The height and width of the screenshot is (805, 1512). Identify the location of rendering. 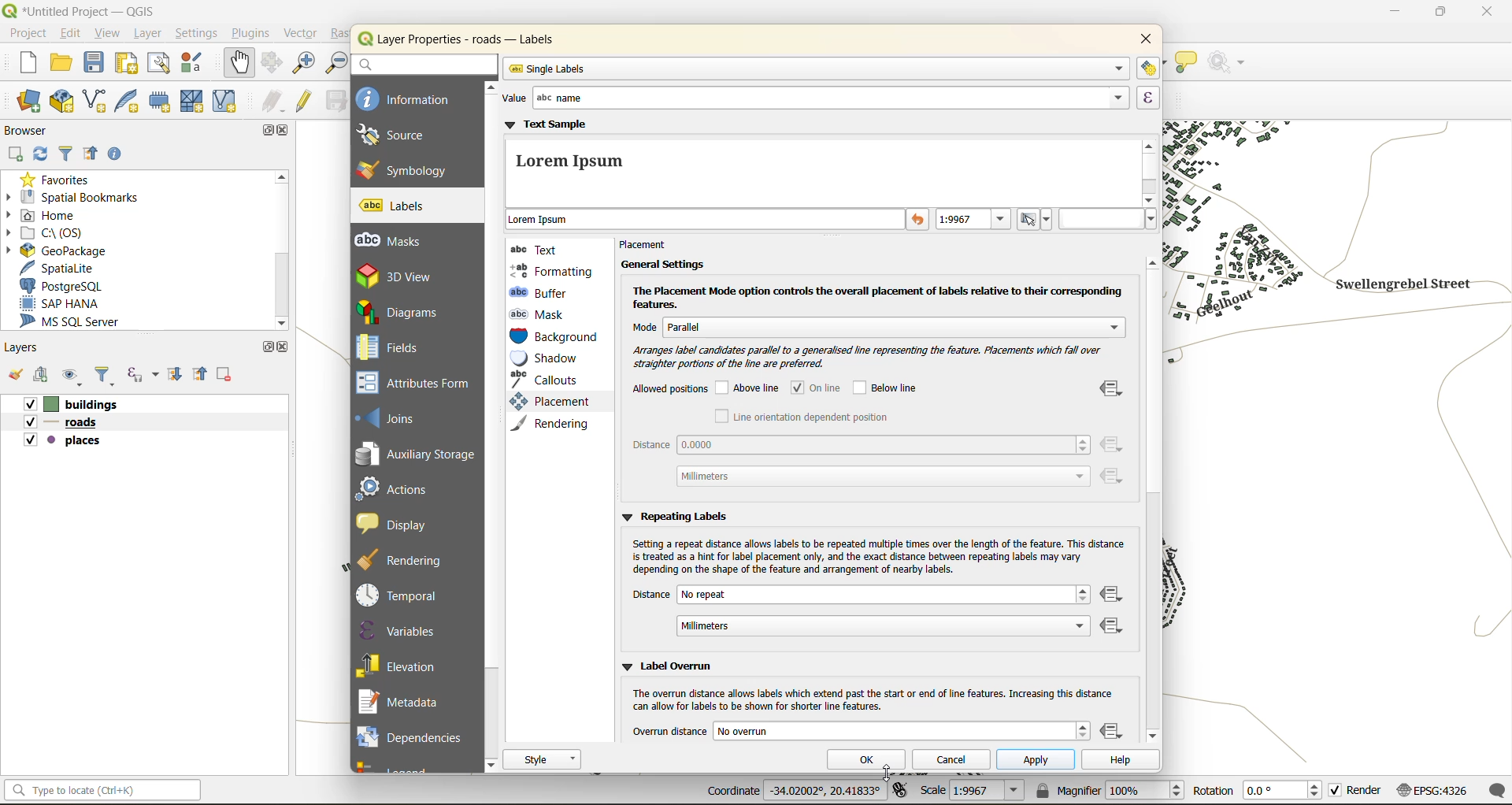
(409, 560).